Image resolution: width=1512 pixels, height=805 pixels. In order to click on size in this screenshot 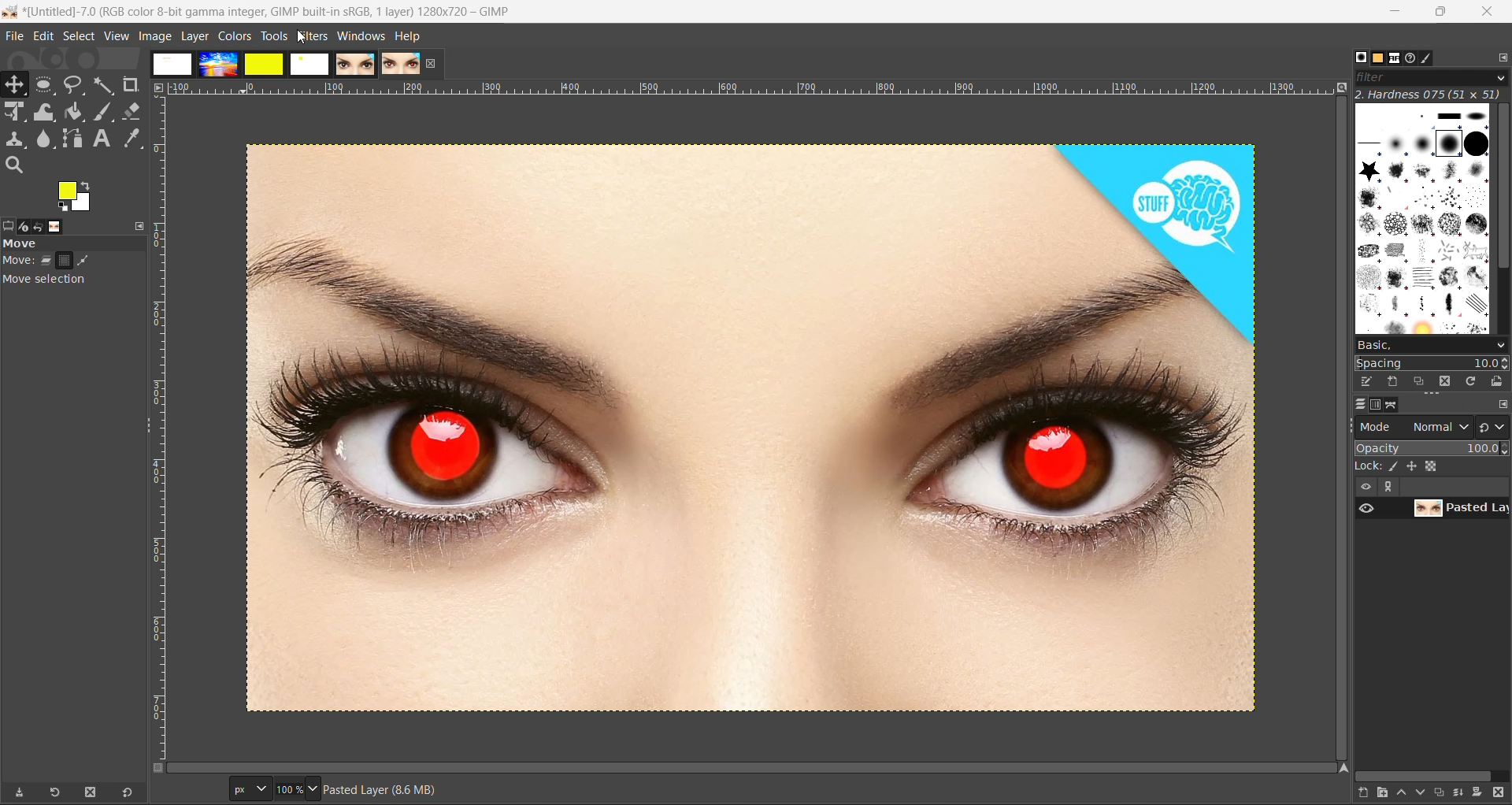, I will do `click(273, 788)`.